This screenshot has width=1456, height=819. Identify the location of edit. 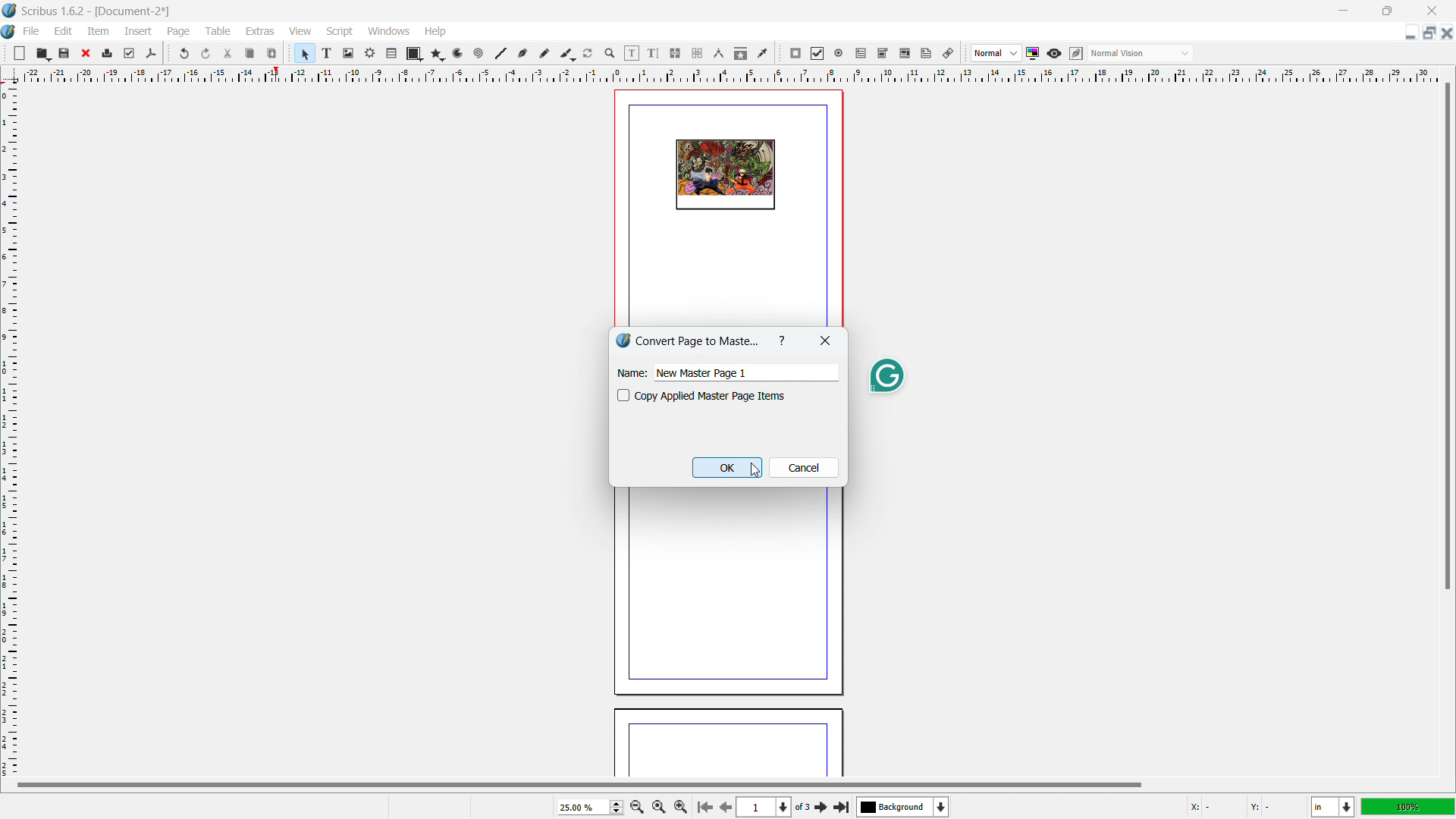
(64, 31).